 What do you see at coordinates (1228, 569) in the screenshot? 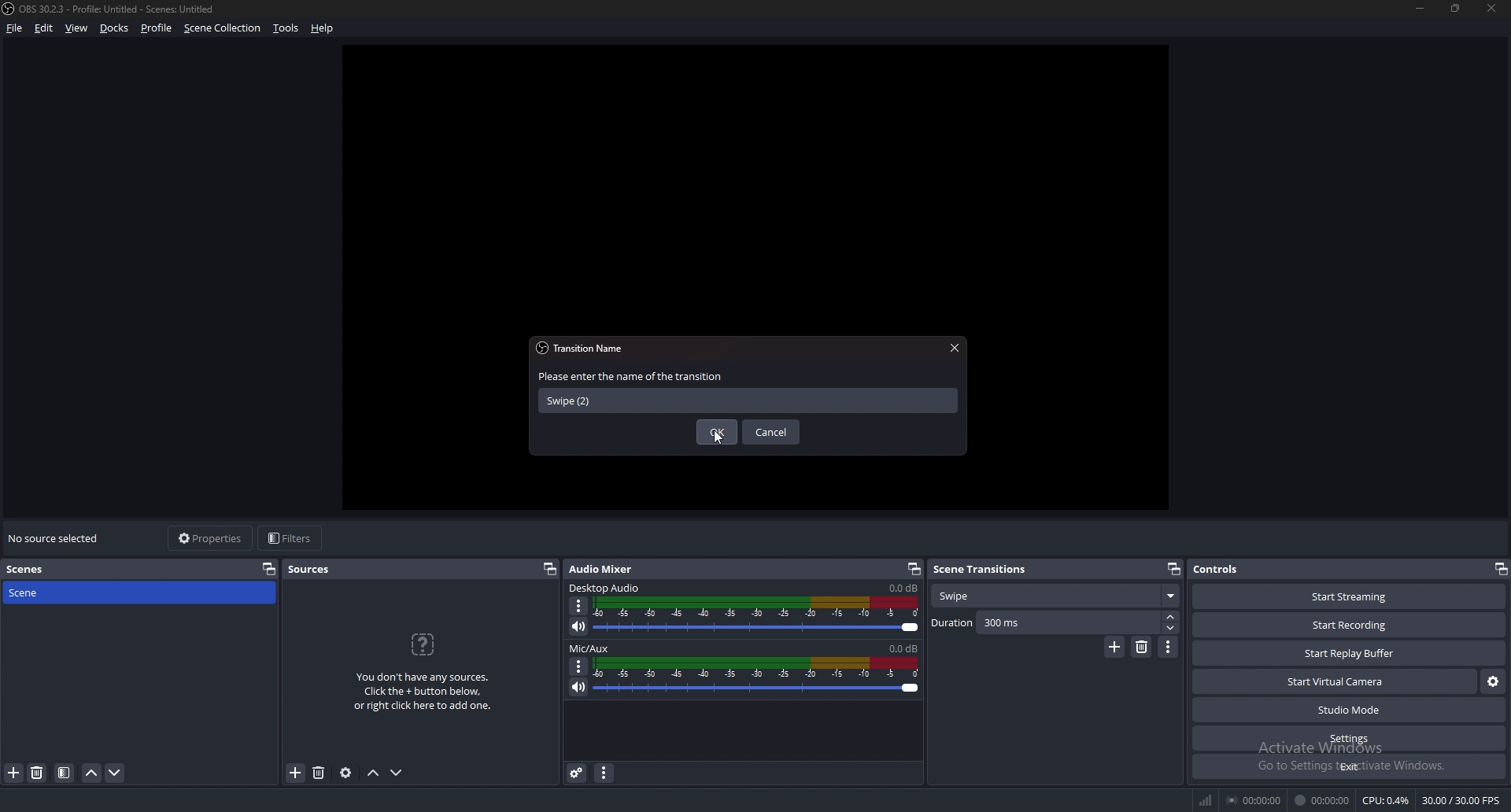
I see `controls` at bounding box center [1228, 569].